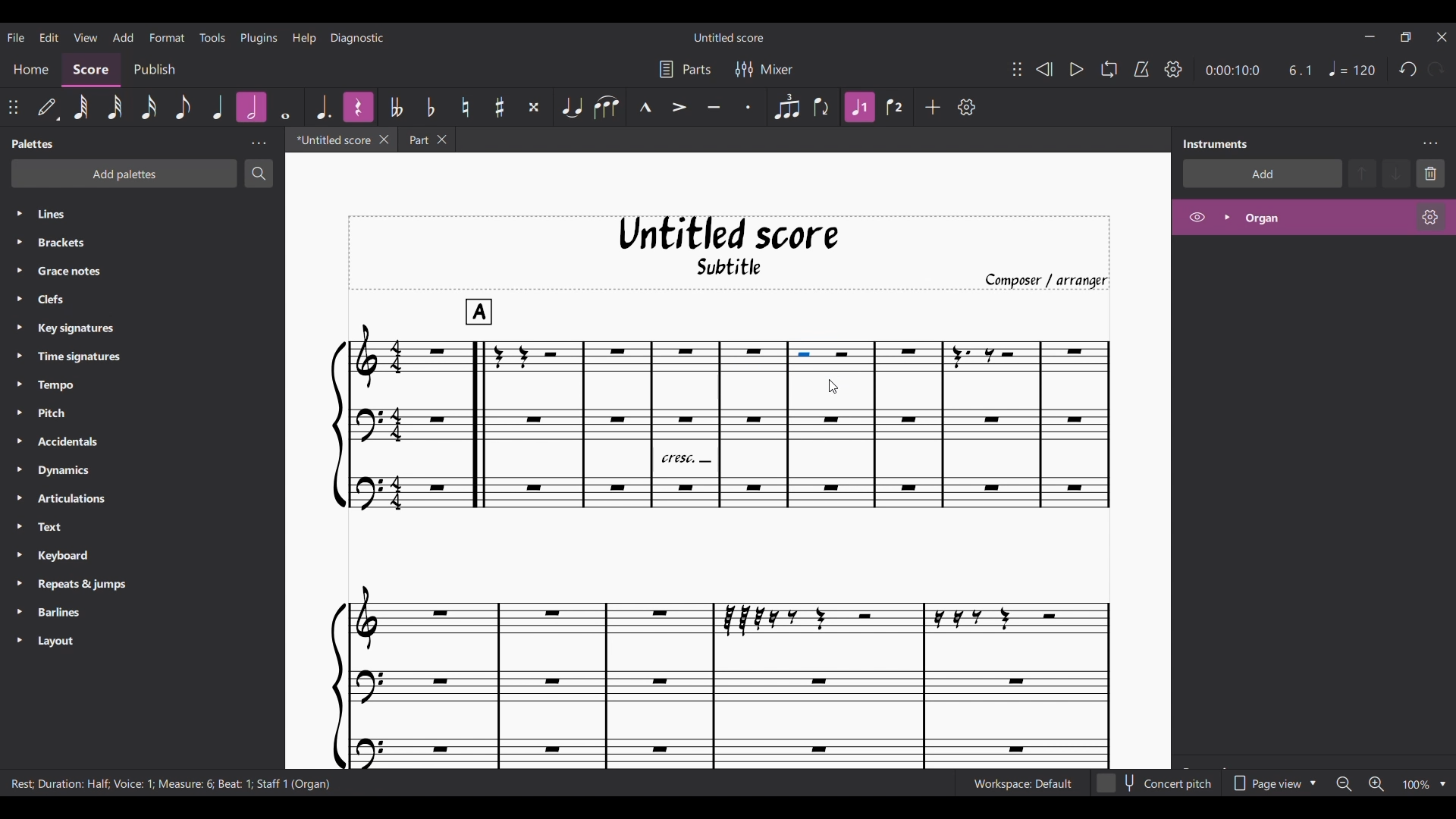 The image size is (1456, 819). What do you see at coordinates (748, 108) in the screenshot?
I see `Staccato` at bounding box center [748, 108].